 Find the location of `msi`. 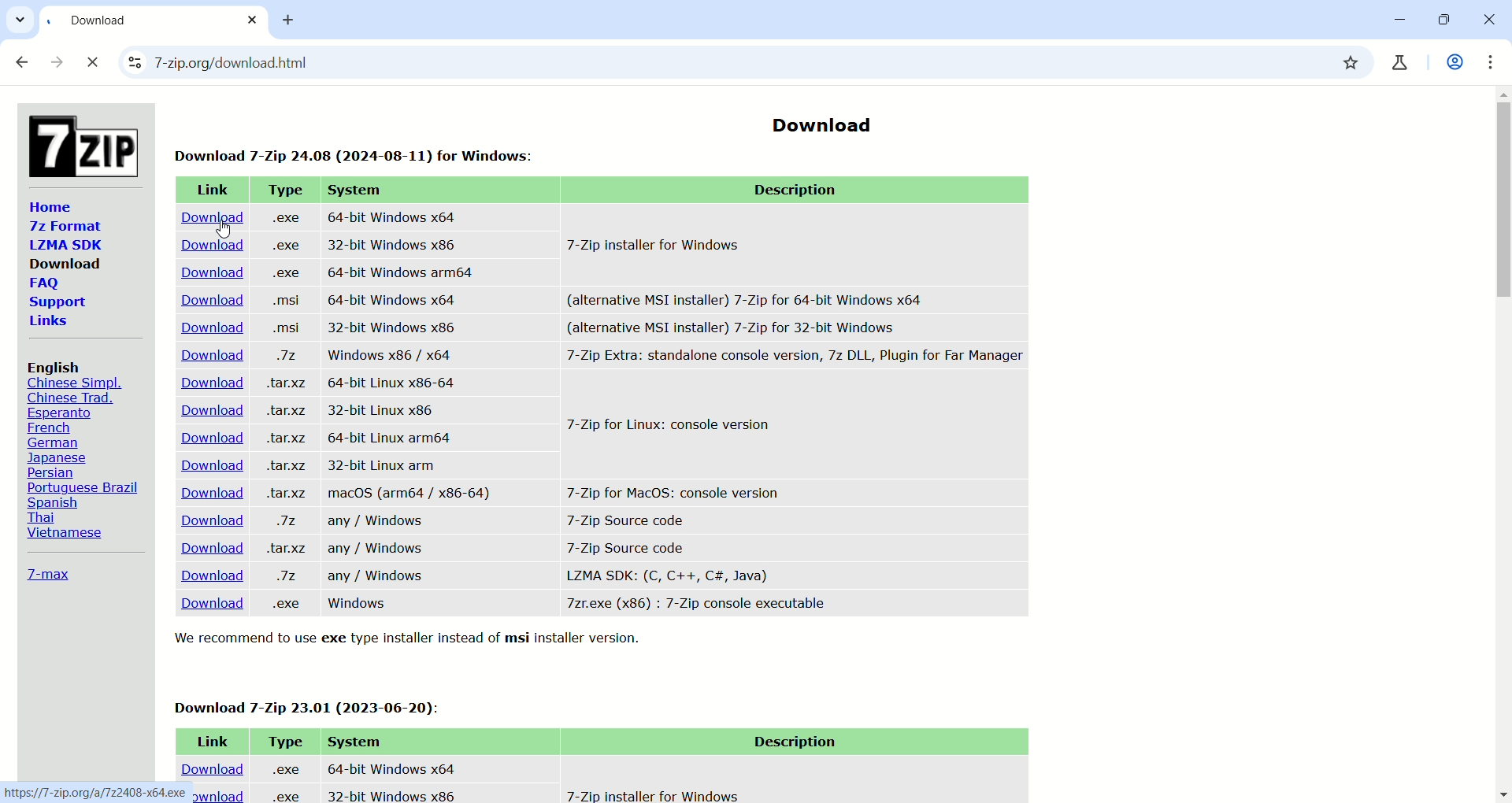

msi is located at coordinates (282, 327).